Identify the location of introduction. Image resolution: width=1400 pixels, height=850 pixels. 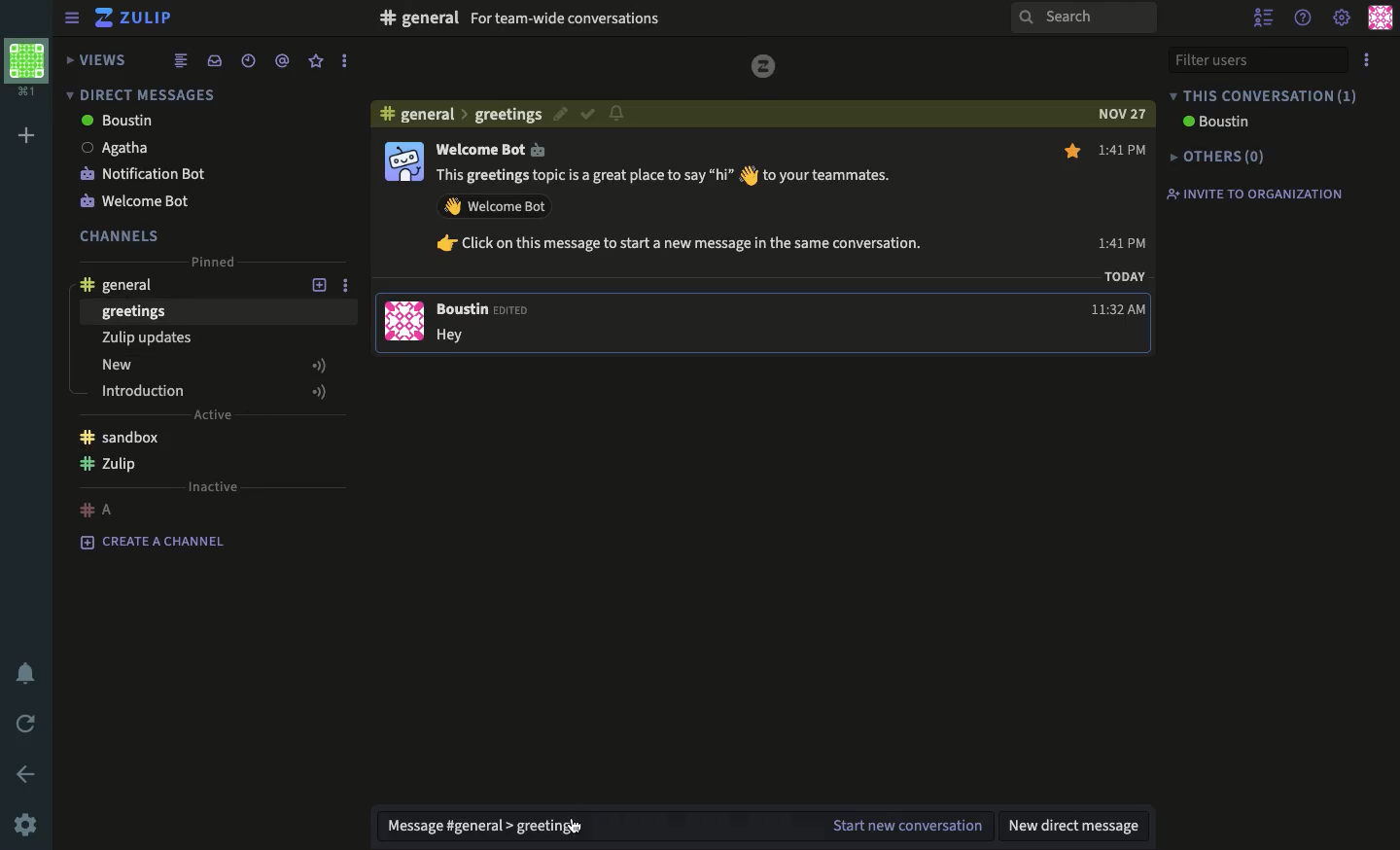
(216, 391).